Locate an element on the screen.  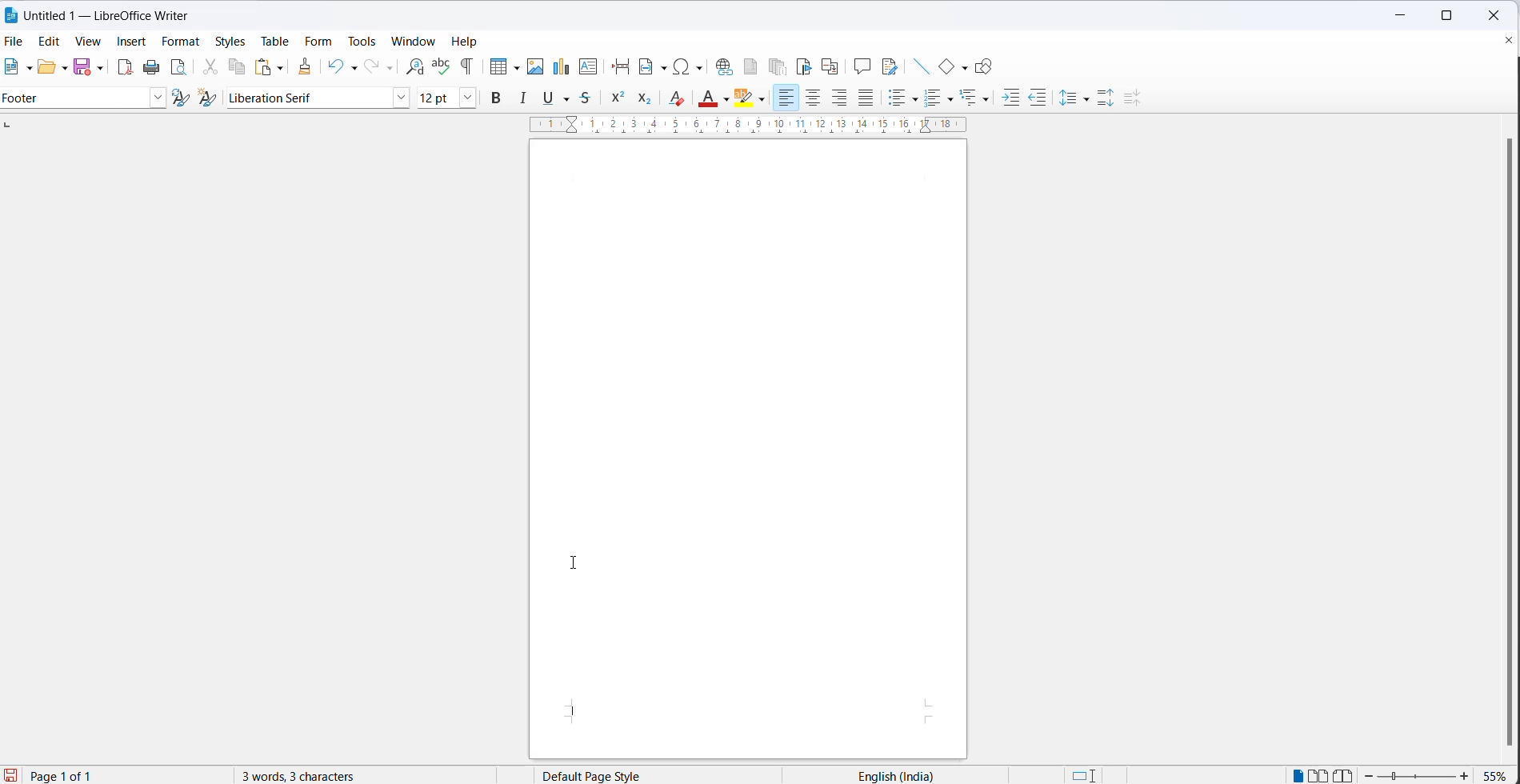
character highlighting is located at coordinates (763, 100).